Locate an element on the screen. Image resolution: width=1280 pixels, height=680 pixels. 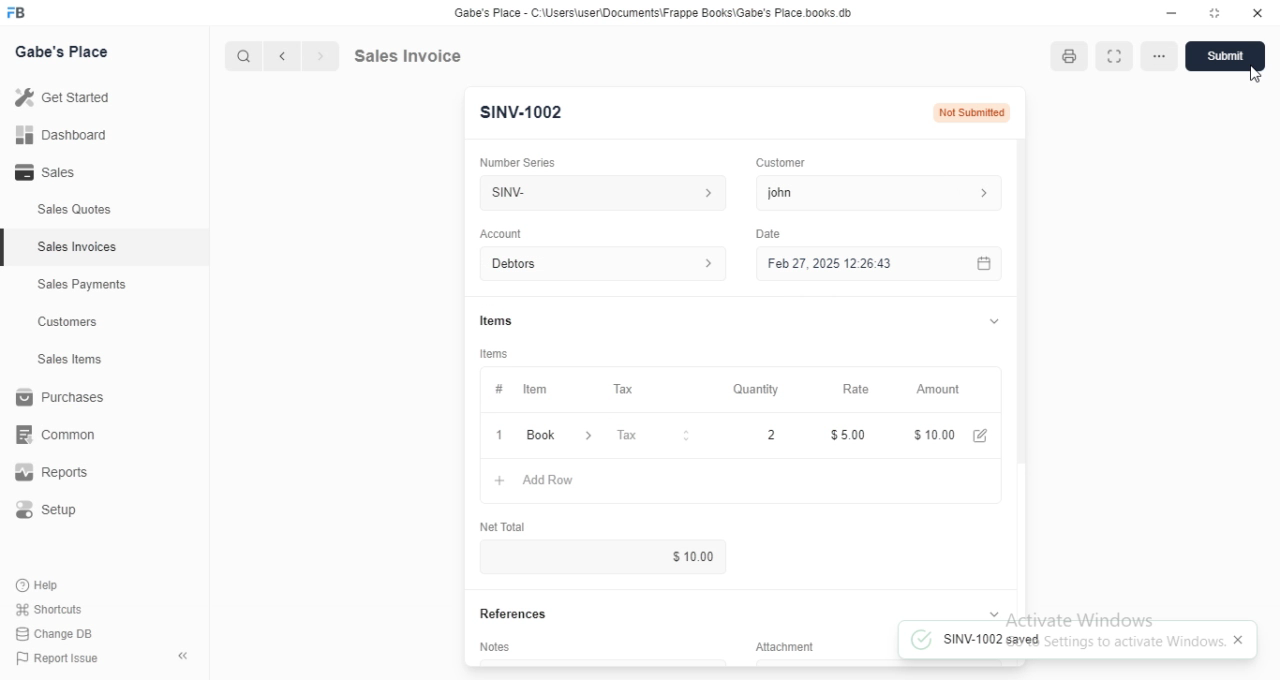
Print is located at coordinates (1070, 55).